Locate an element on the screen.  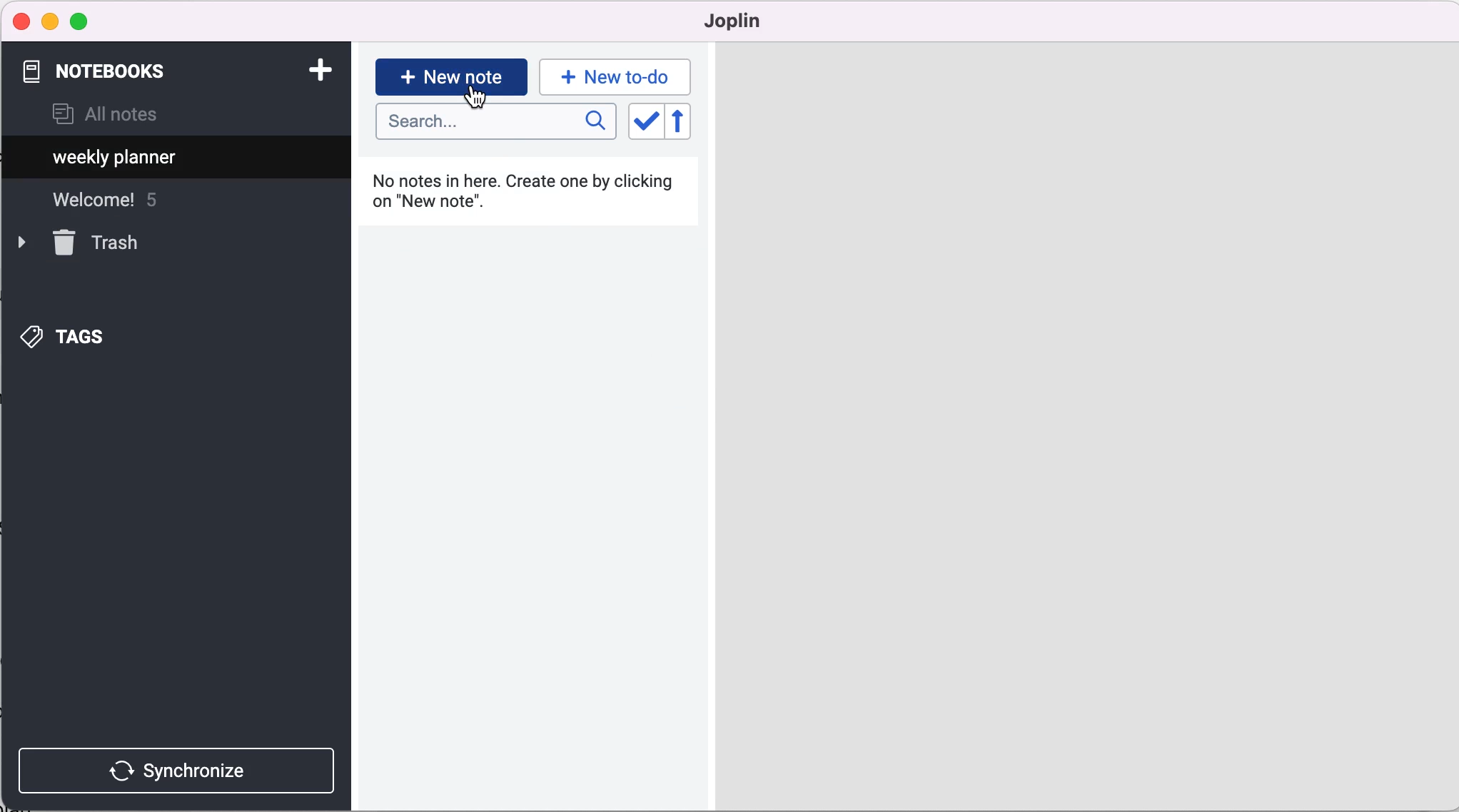
tags is located at coordinates (81, 338).